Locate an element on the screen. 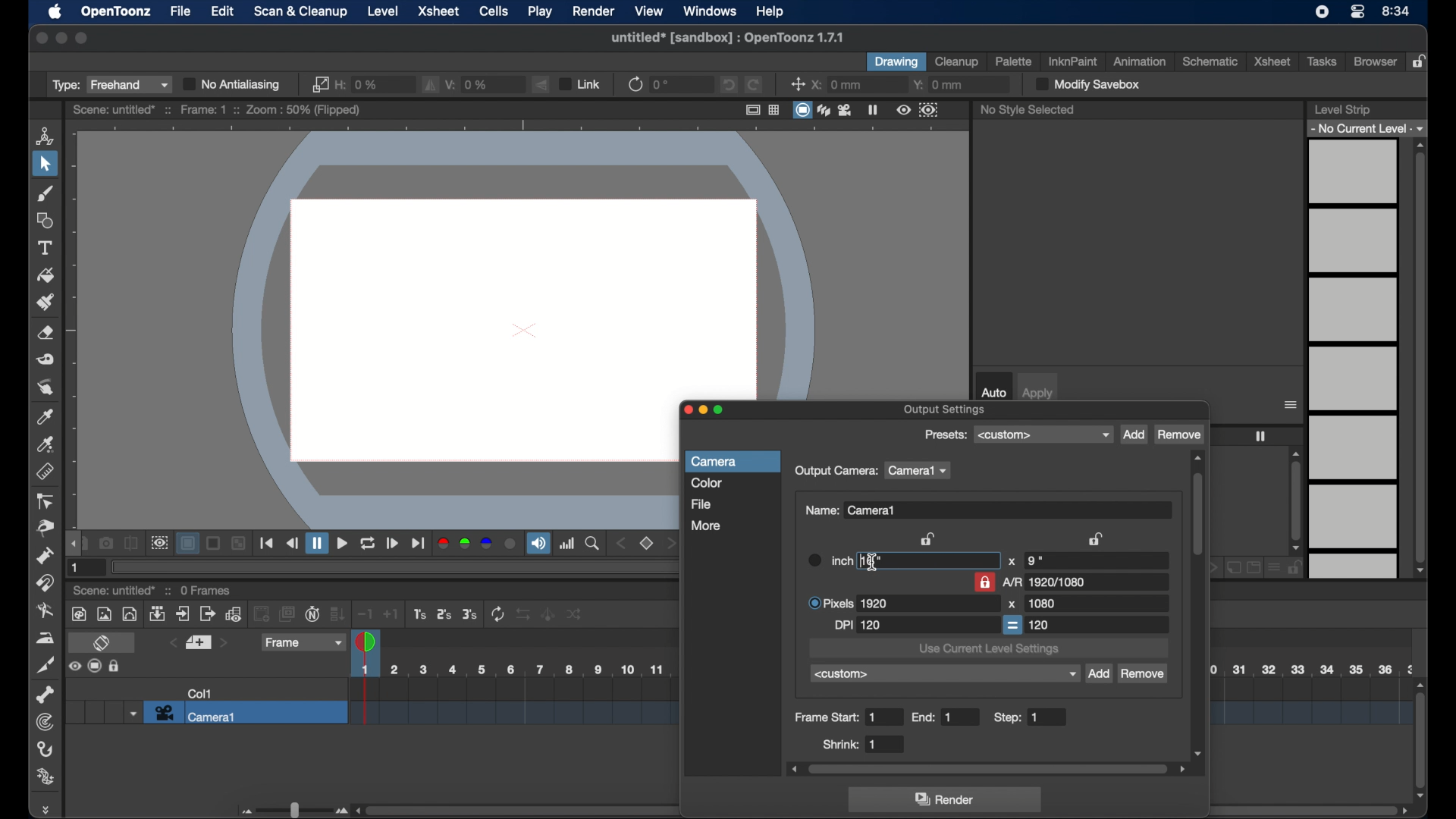   is located at coordinates (392, 546).